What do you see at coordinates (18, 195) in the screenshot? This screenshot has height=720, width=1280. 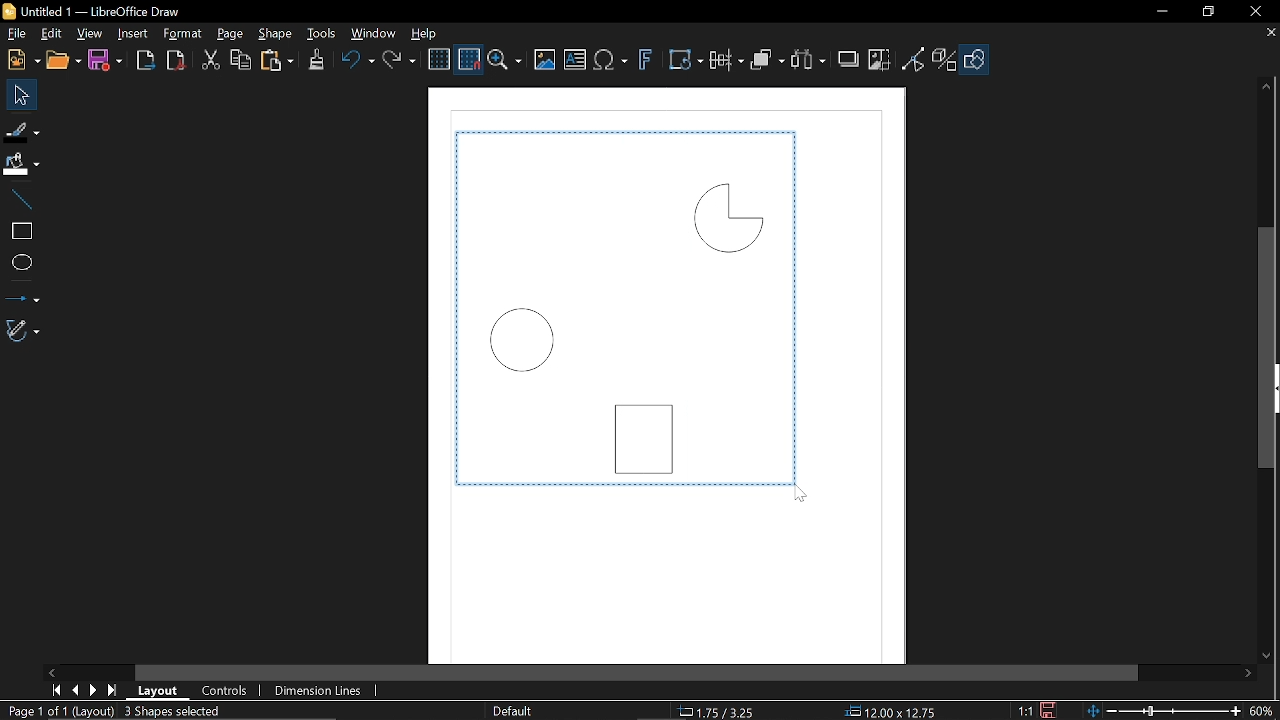 I see `Line` at bounding box center [18, 195].